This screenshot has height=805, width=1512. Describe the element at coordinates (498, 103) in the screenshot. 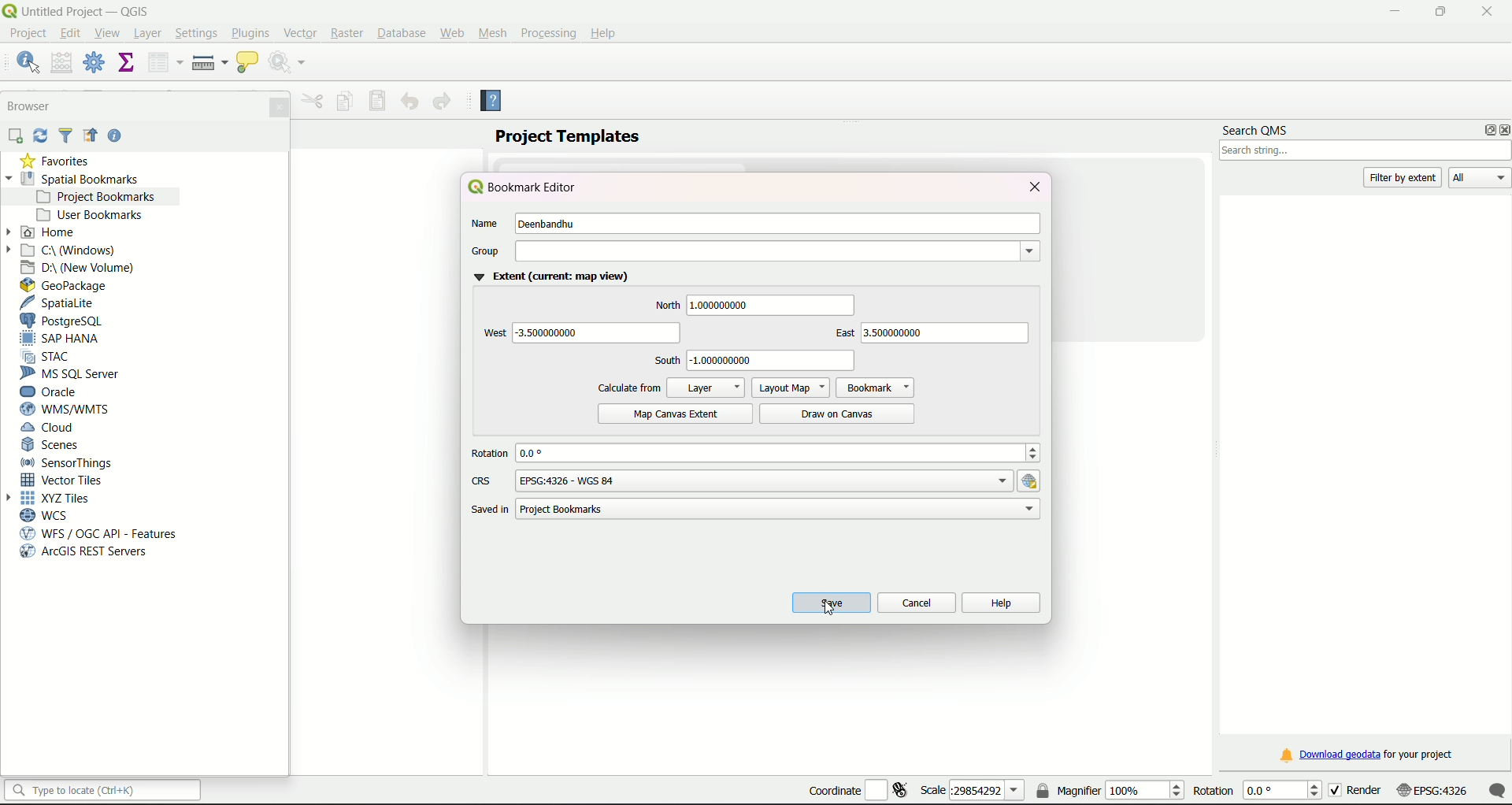

I see `Help` at that location.